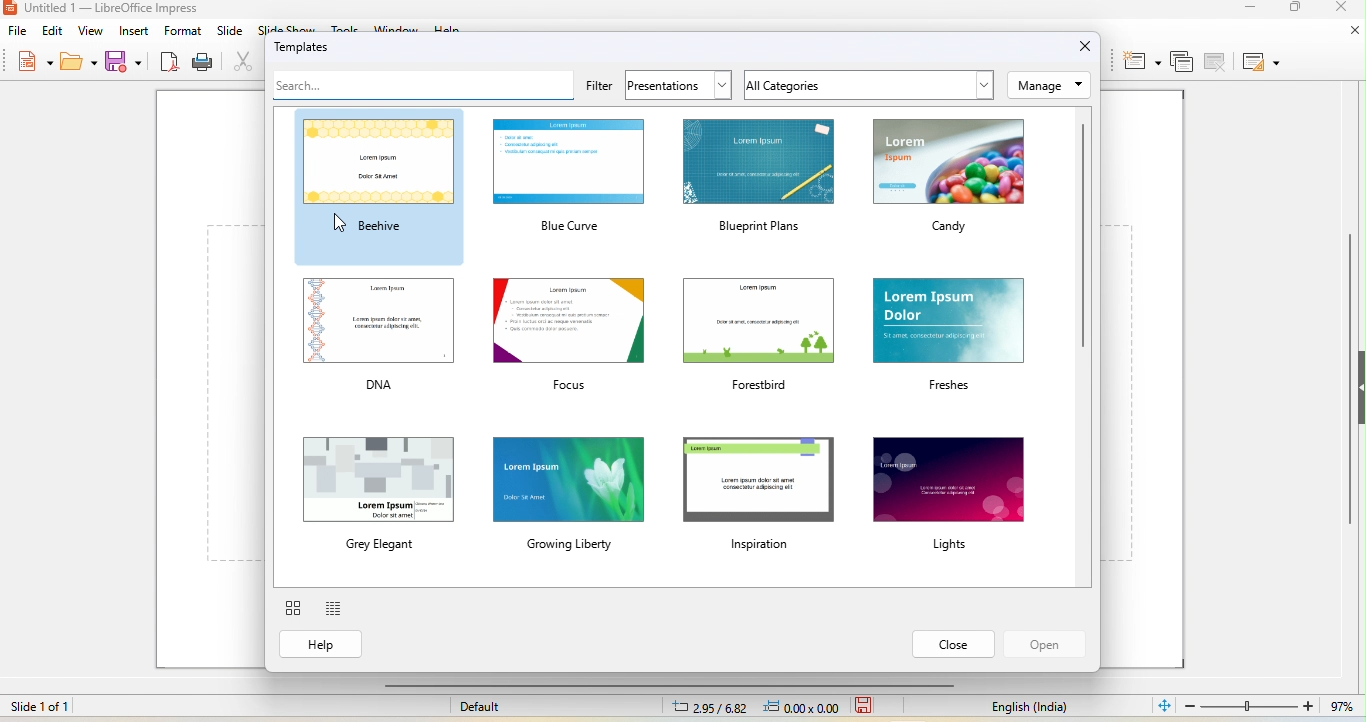 The image size is (1366, 722). I want to click on beehive template selected, so click(379, 187).